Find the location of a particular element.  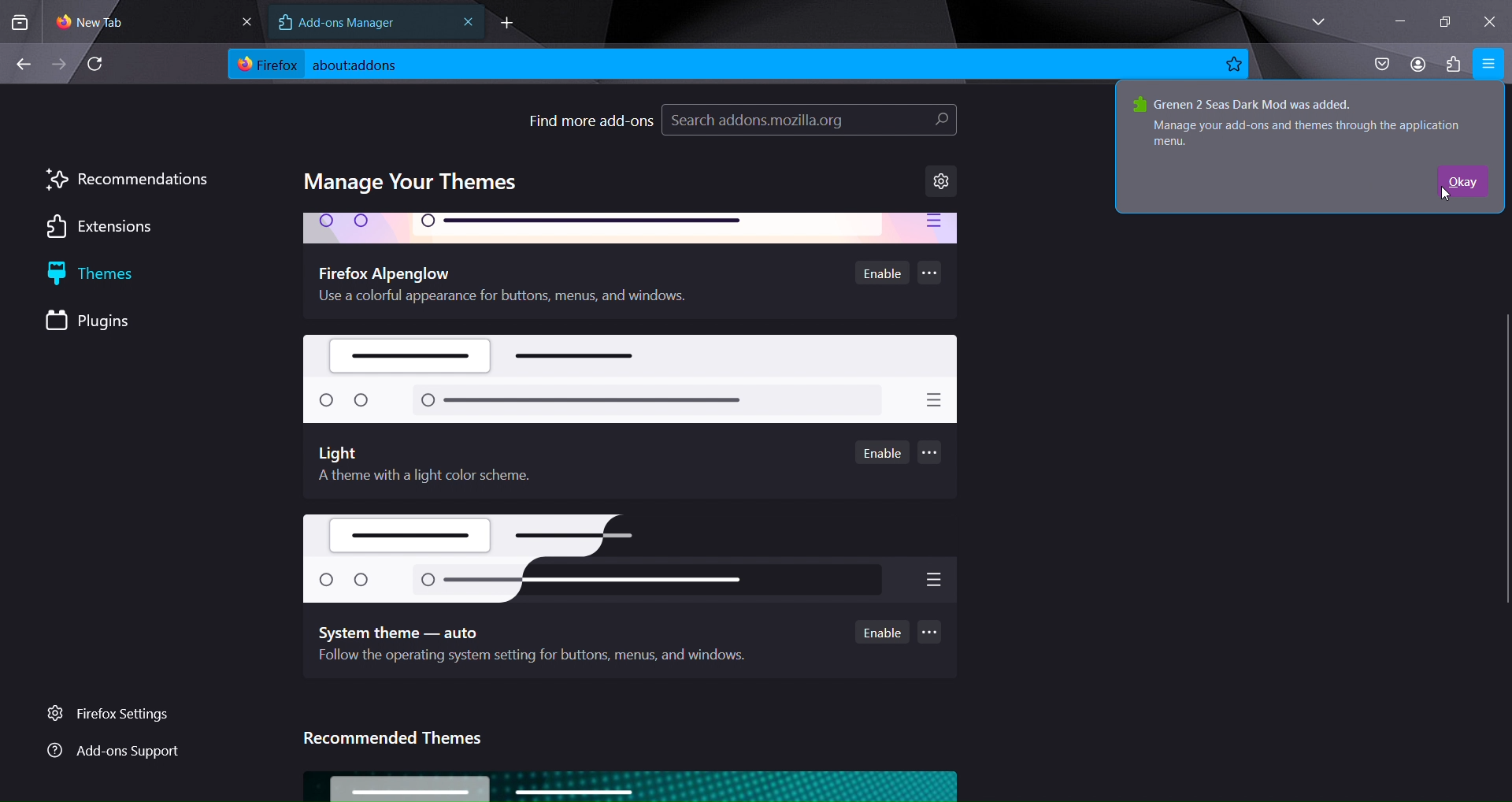

firefox alpenglow- use a colorful appearance for buttons, menus and windows is located at coordinates (528, 284).